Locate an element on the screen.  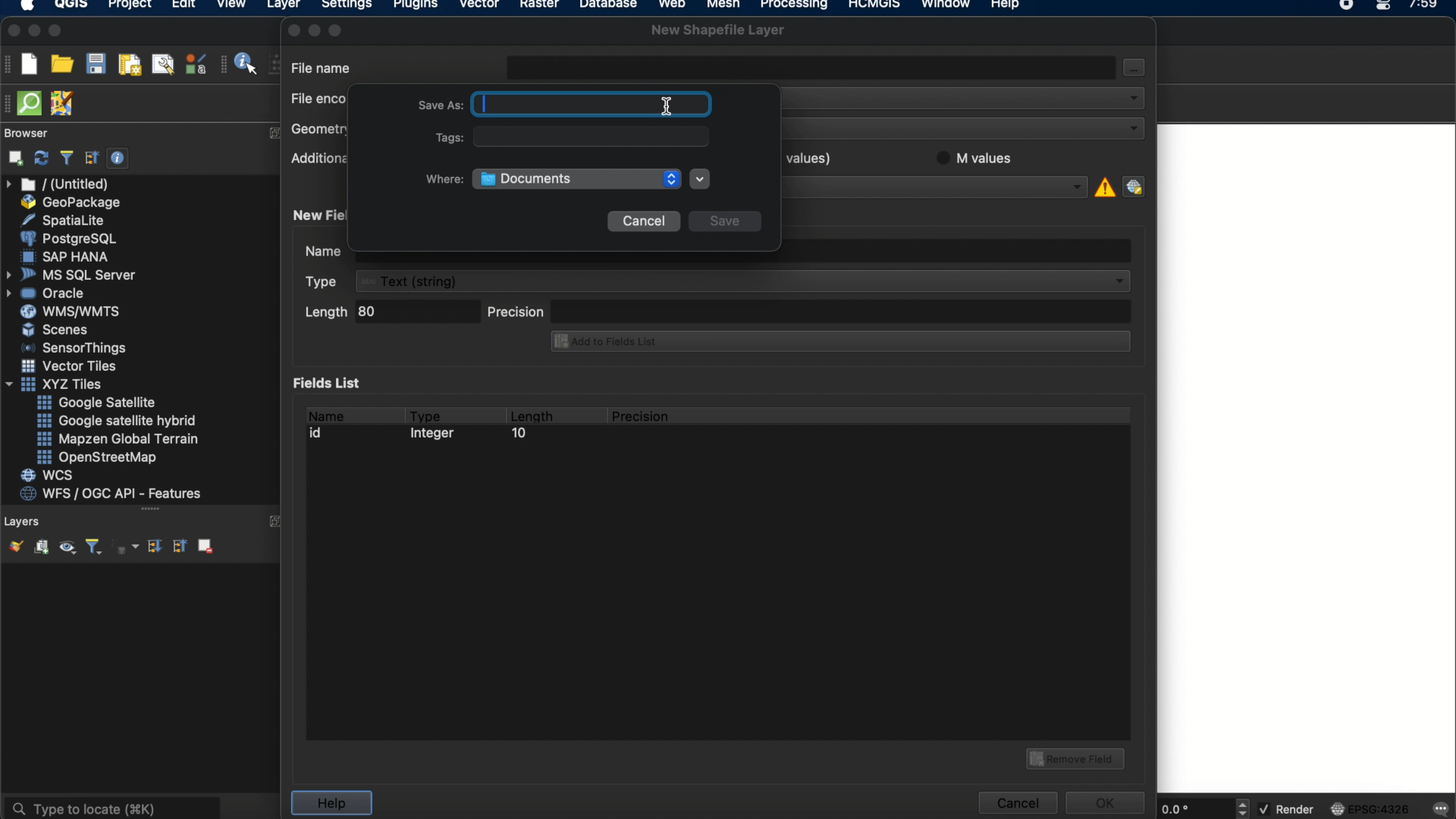
dropdown is located at coordinates (1132, 96).